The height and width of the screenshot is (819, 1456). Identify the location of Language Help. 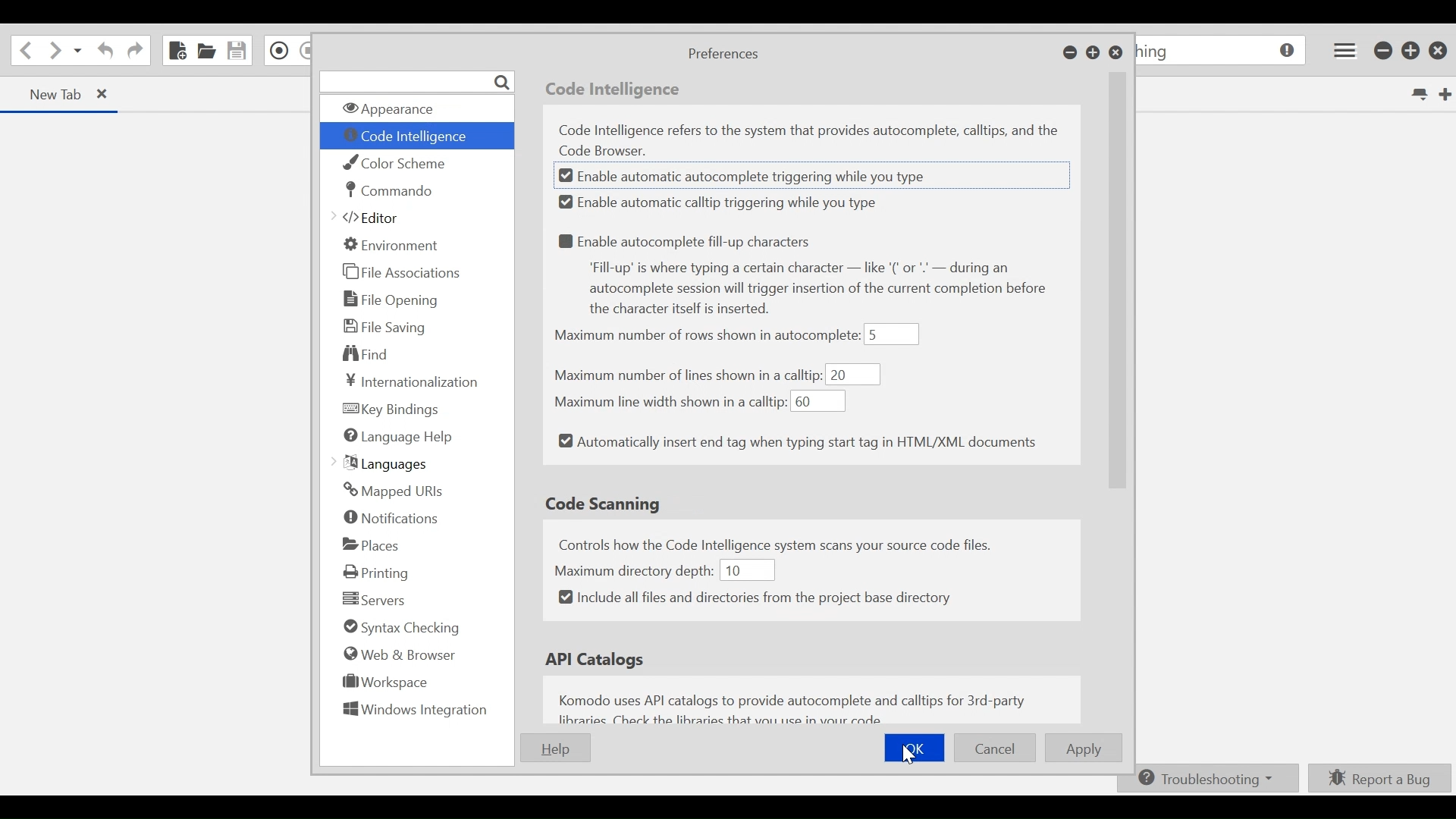
(398, 438).